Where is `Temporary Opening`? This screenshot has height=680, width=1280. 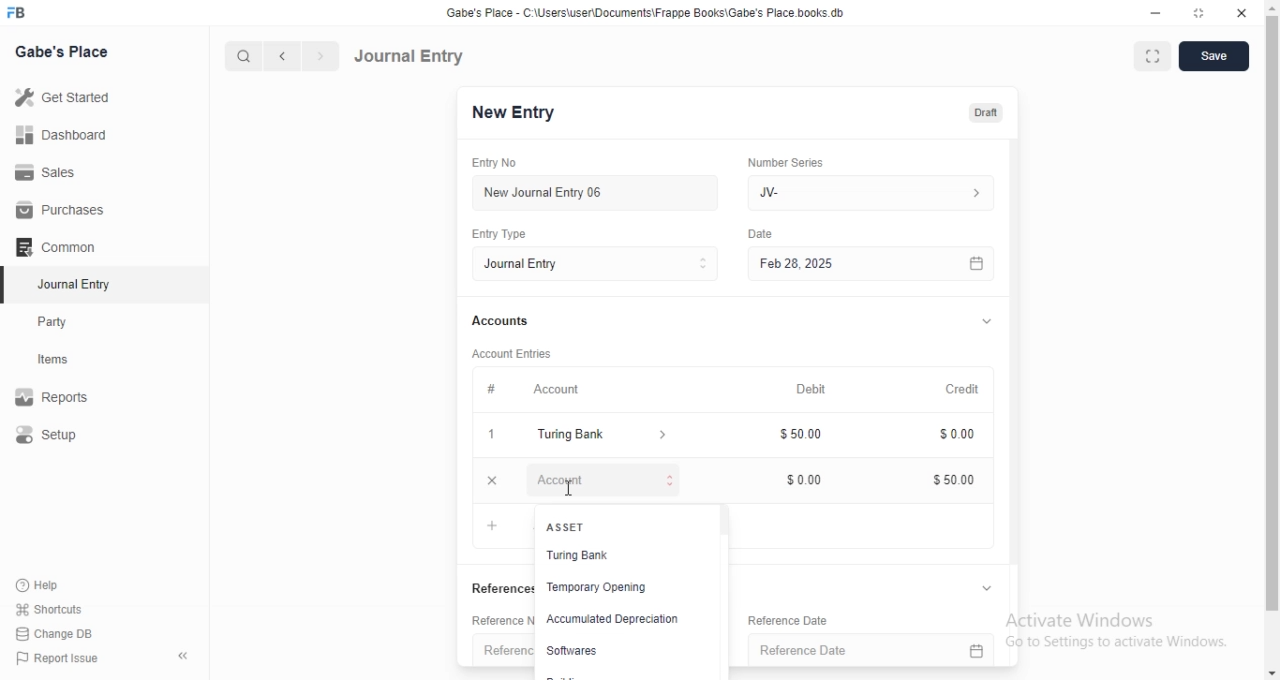
Temporary Opening is located at coordinates (611, 589).